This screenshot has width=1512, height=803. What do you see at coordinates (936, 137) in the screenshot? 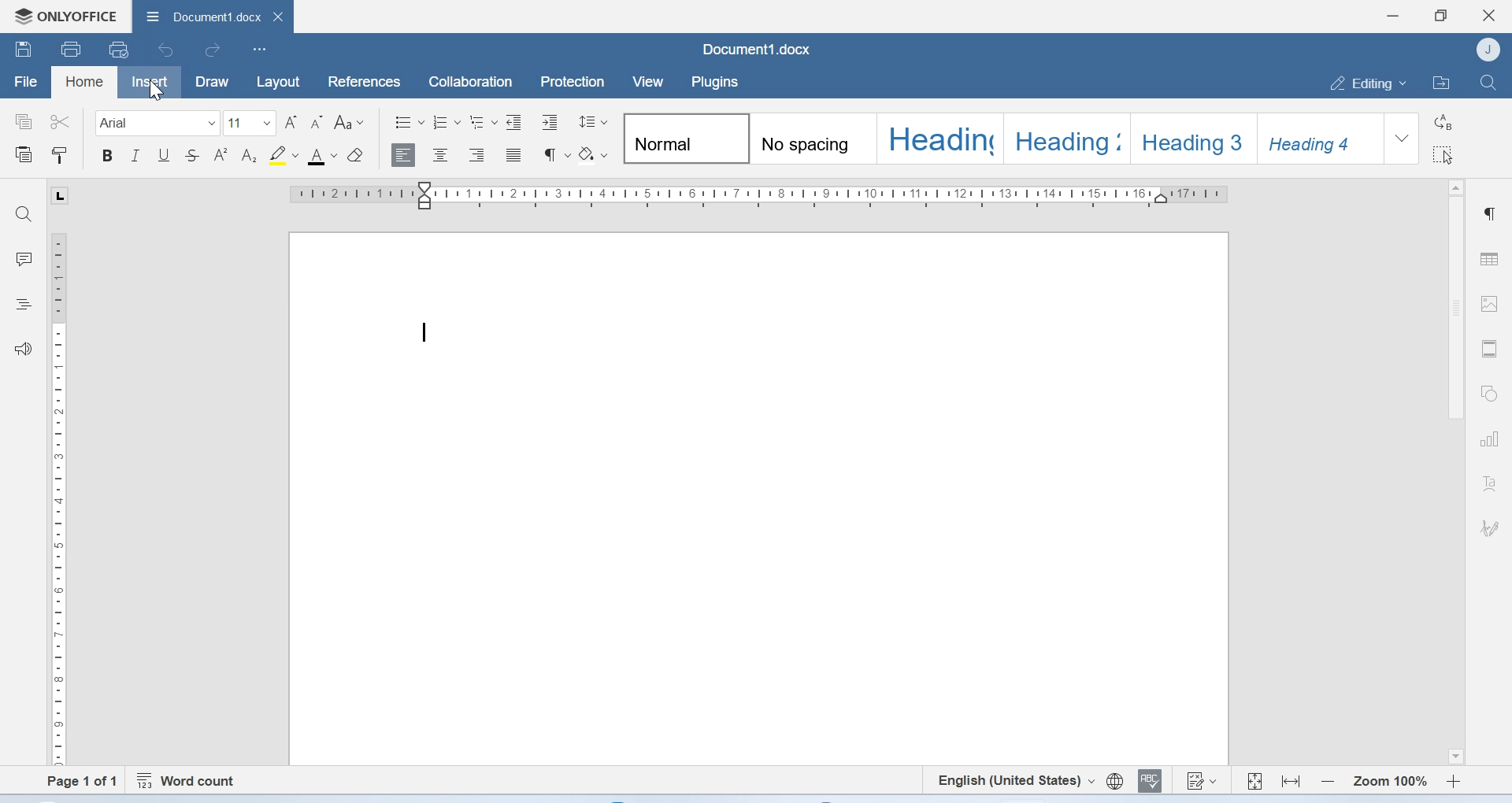
I see `Heading 1` at bounding box center [936, 137].